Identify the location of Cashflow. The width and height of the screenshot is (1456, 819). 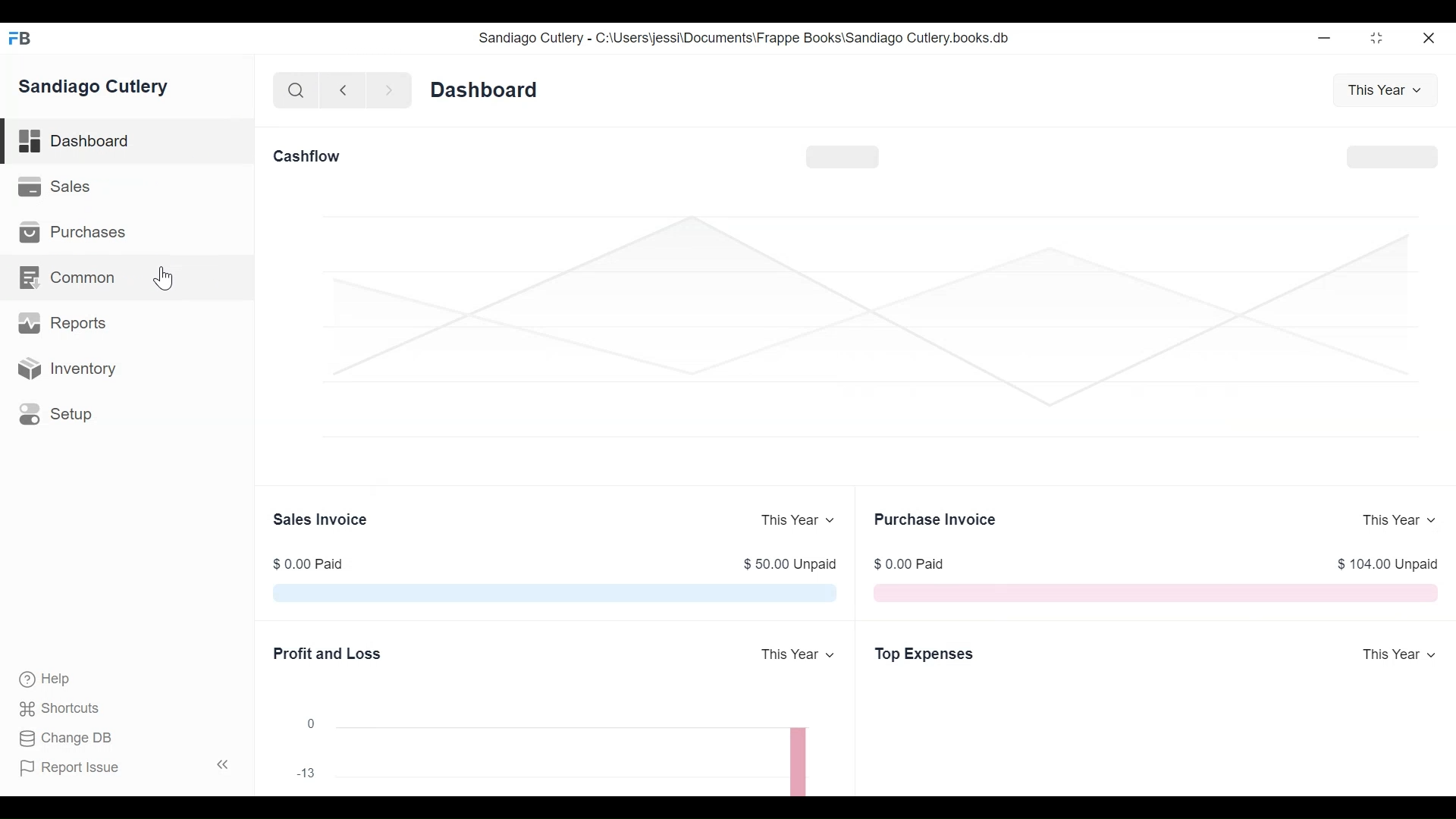
(310, 156).